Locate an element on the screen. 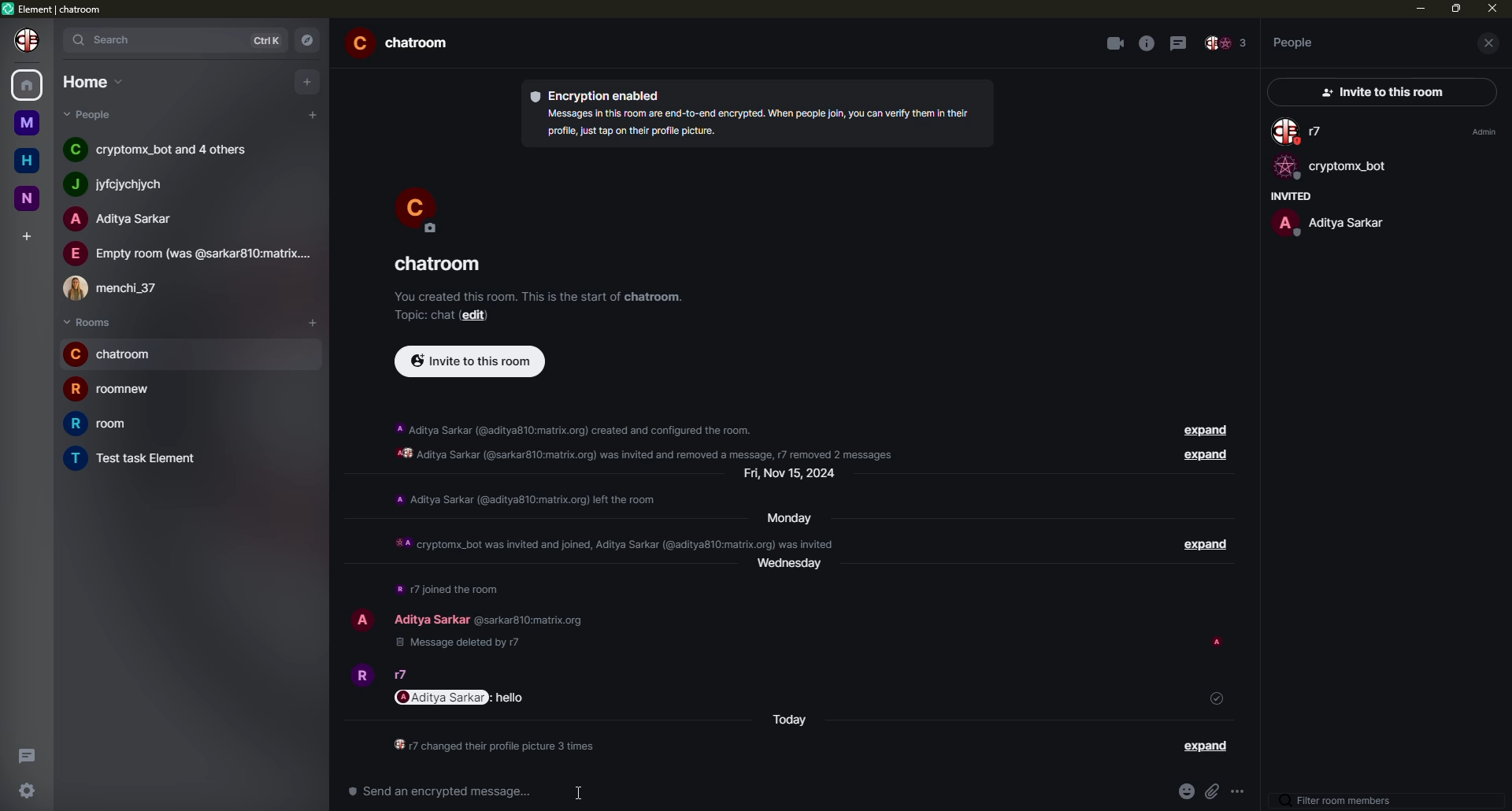  n is located at coordinates (33, 197).